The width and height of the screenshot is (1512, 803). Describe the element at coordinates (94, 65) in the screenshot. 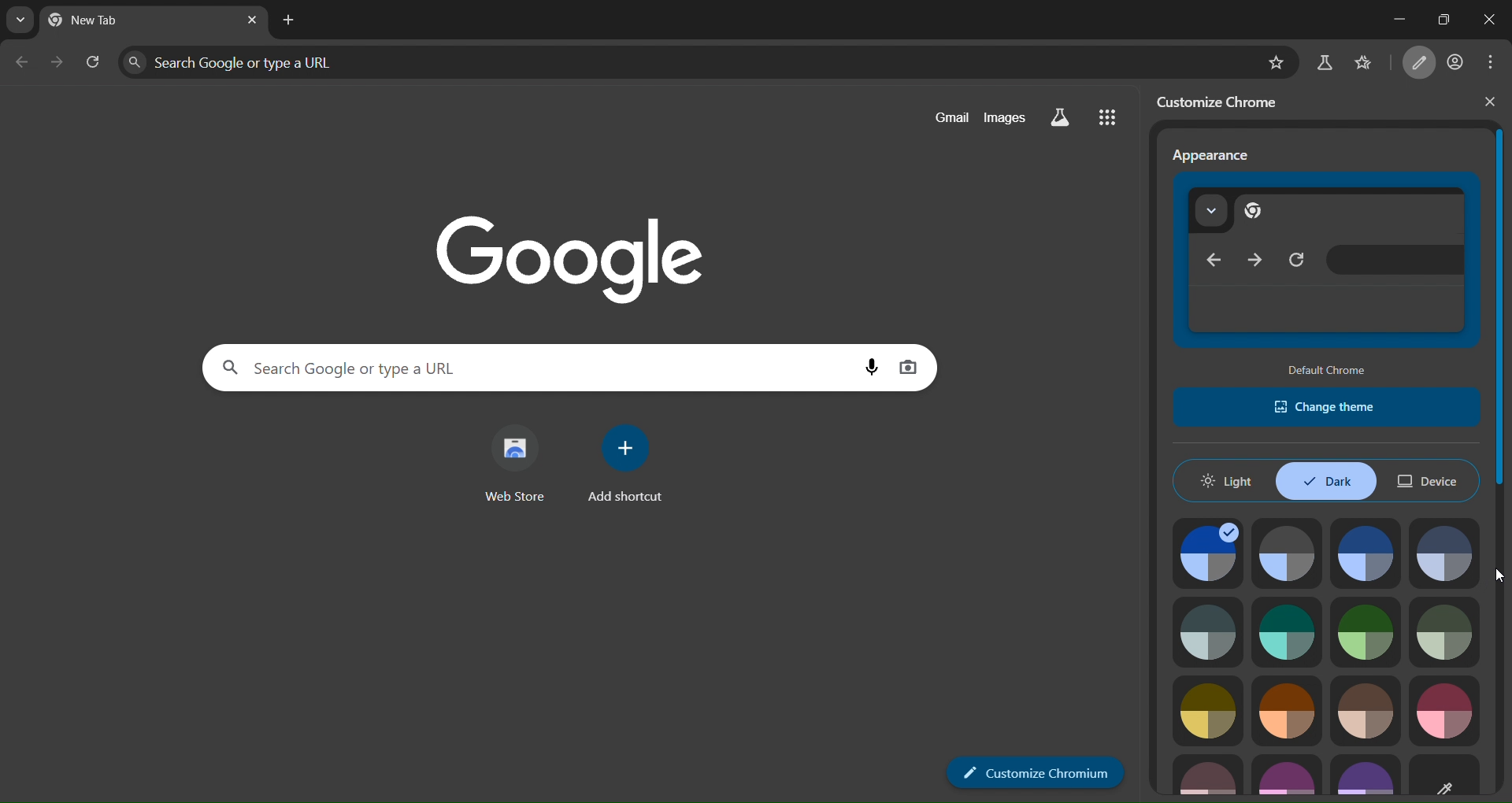

I see `reload page` at that location.